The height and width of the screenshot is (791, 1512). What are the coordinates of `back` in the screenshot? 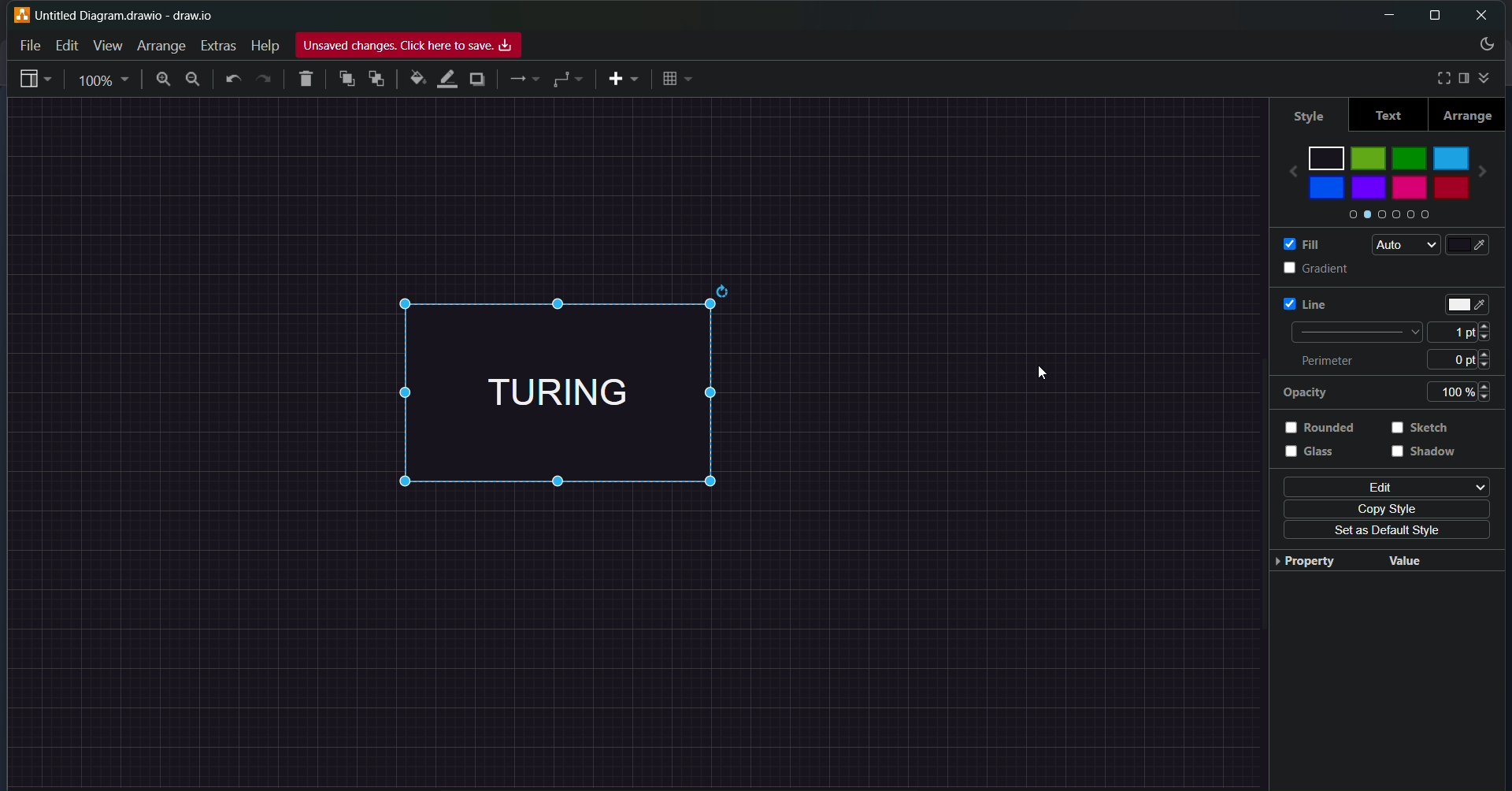 It's located at (1285, 166).